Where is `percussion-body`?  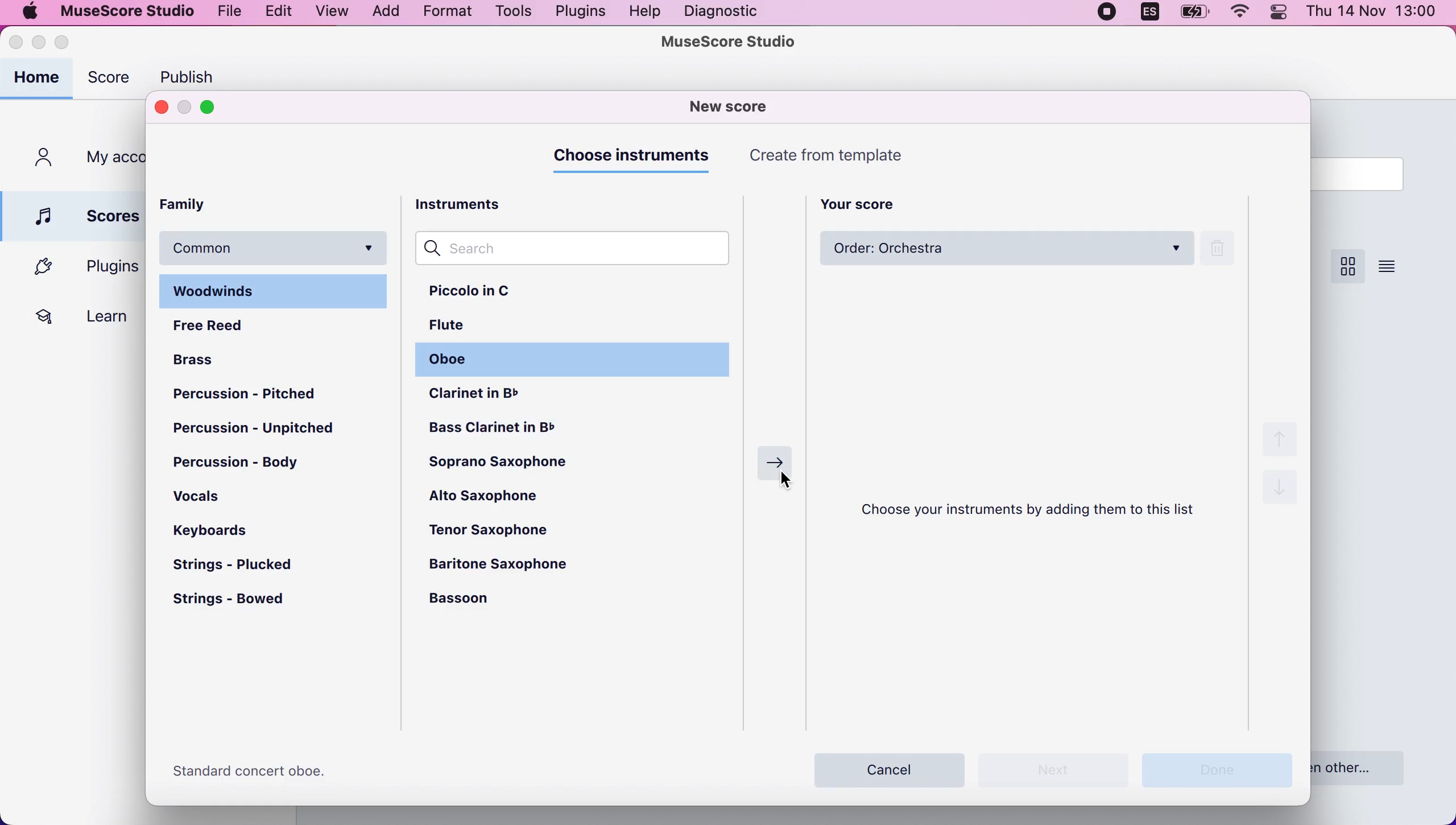
percussion-body is located at coordinates (255, 464).